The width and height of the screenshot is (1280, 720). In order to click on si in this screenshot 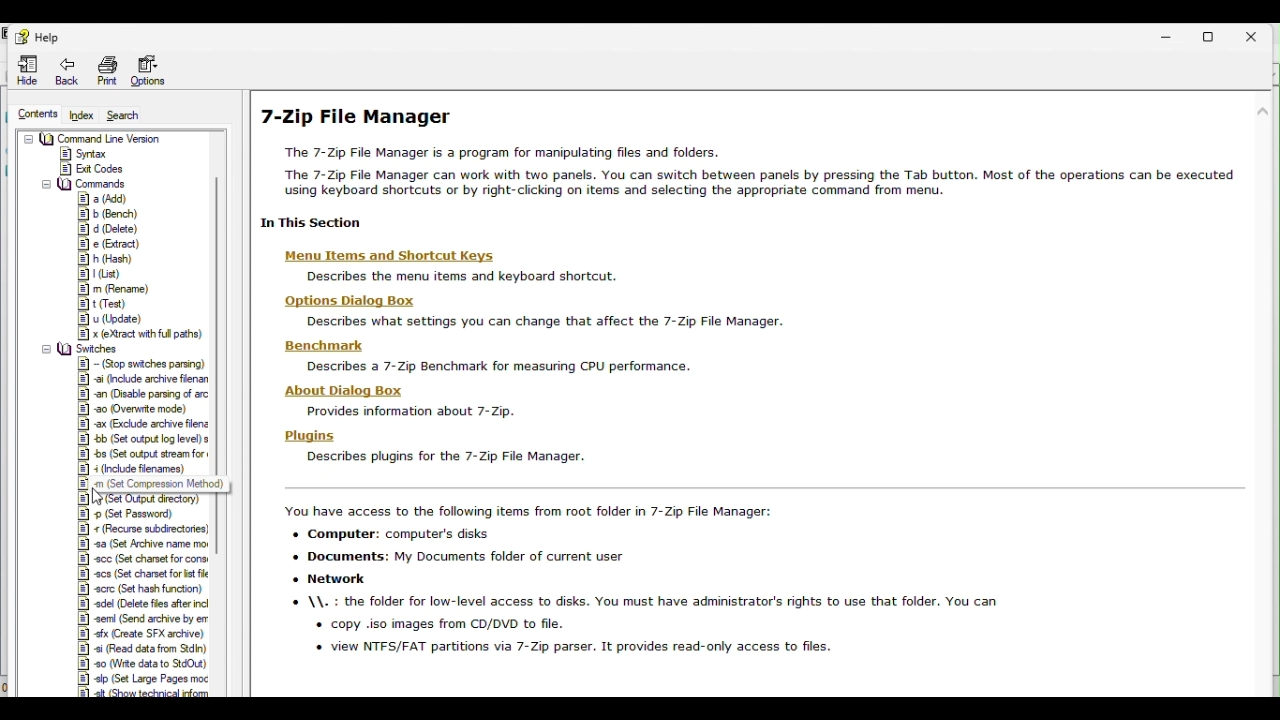, I will do `click(142, 650)`.